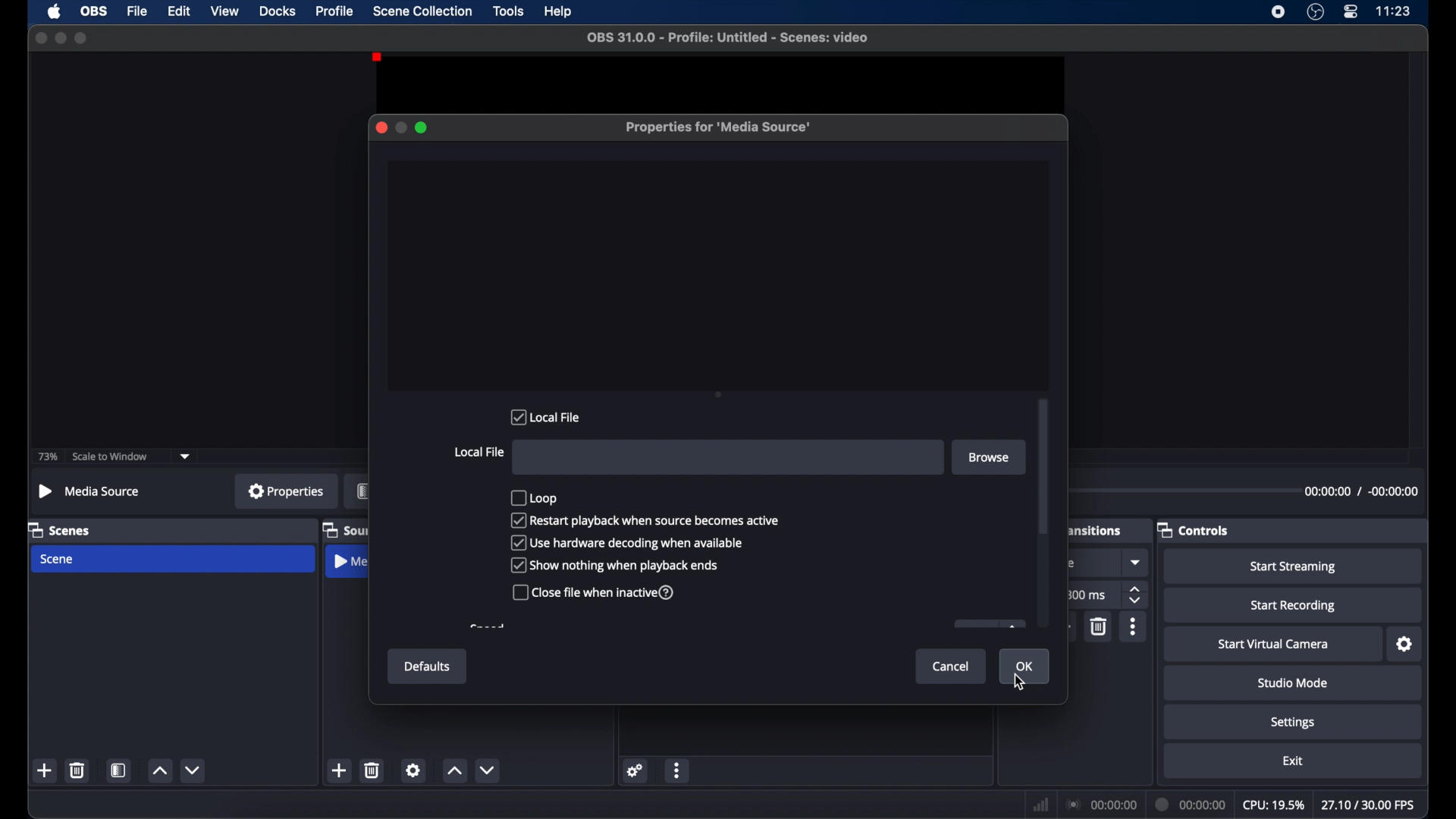  Describe the element at coordinates (646, 521) in the screenshot. I see `restart playback when source becomes active` at that location.